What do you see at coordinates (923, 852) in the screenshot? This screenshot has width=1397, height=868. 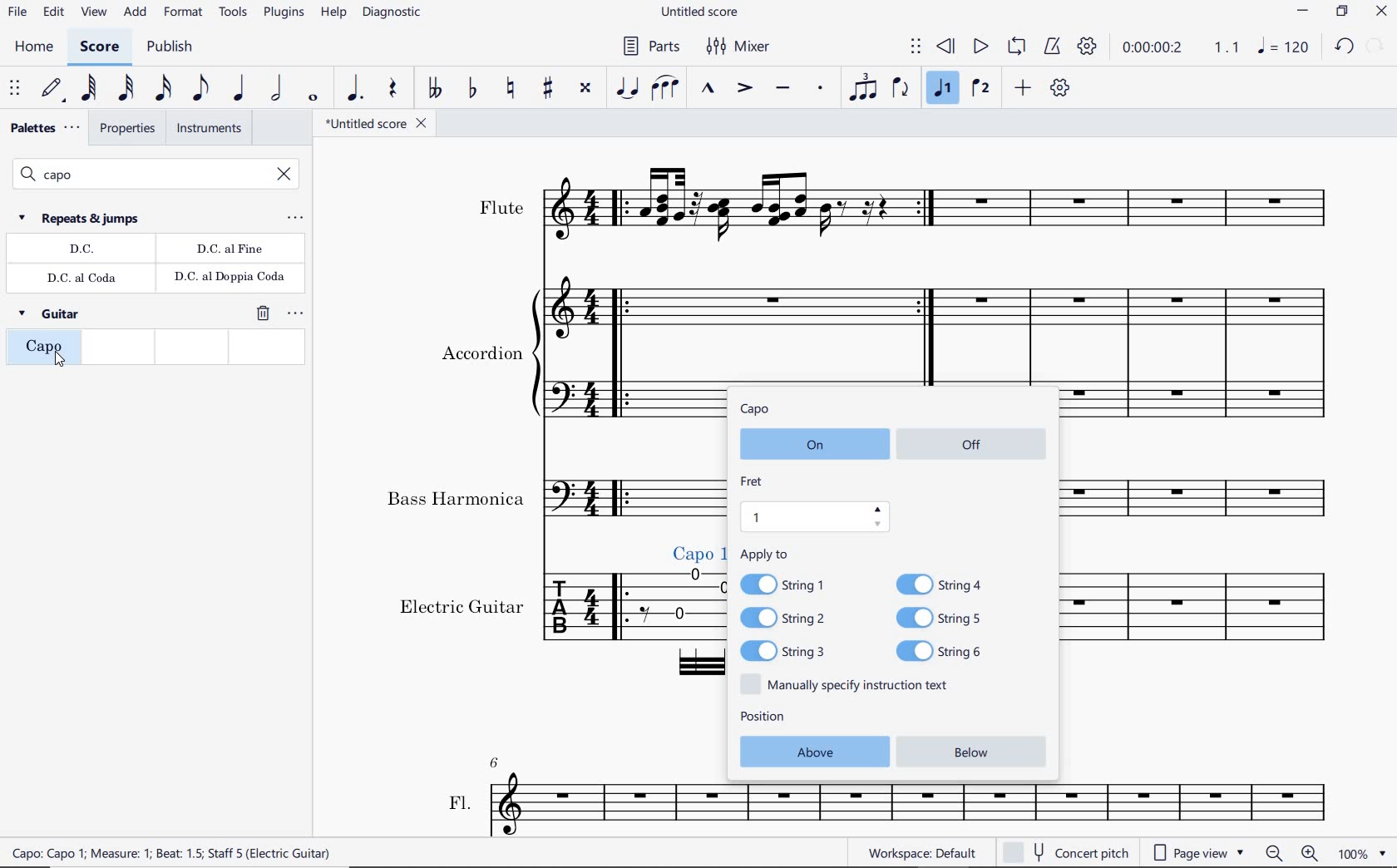 I see `workspace default` at bounding box center [923, 852].